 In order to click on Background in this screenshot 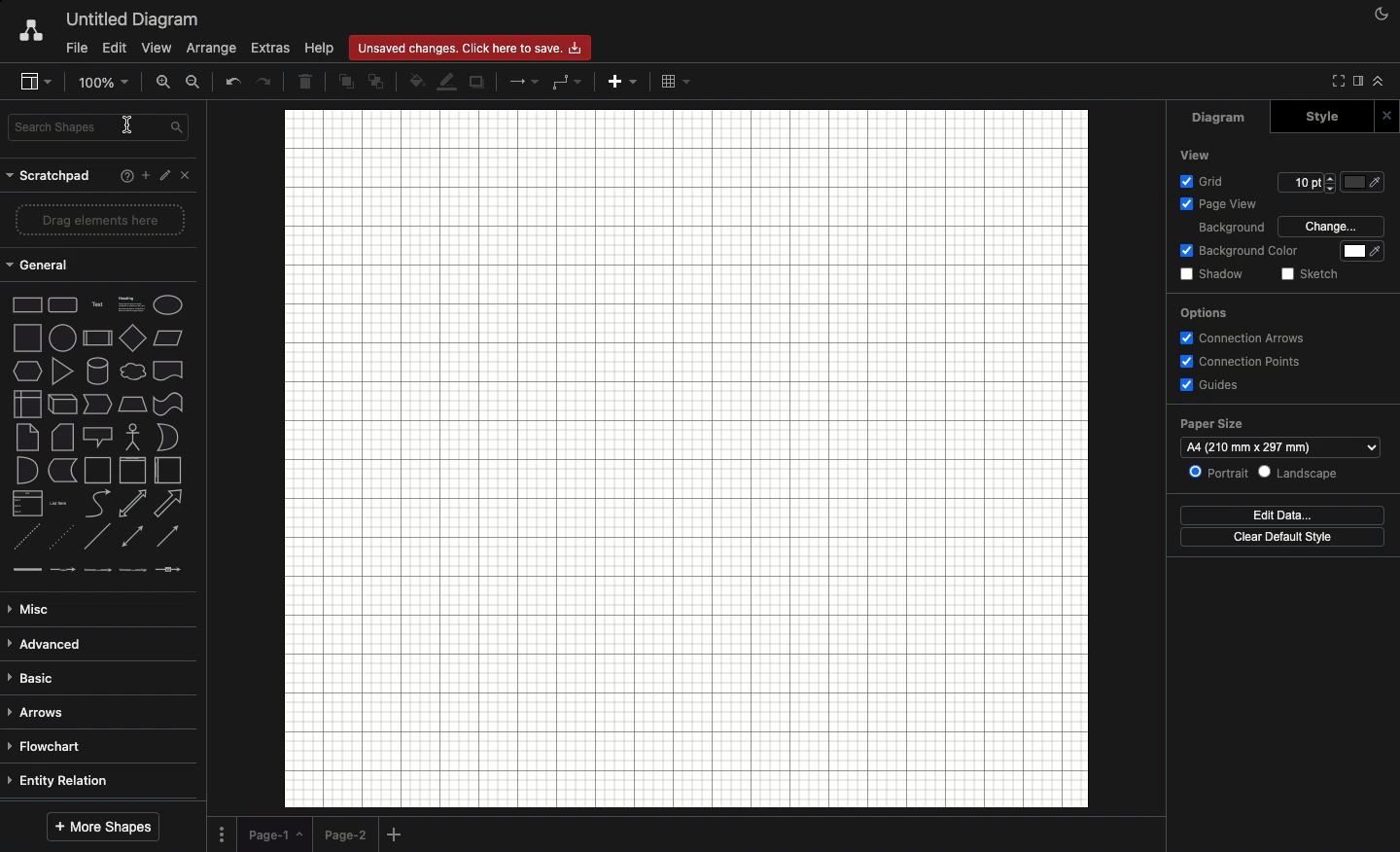, I will do `click(1231, 227)`.